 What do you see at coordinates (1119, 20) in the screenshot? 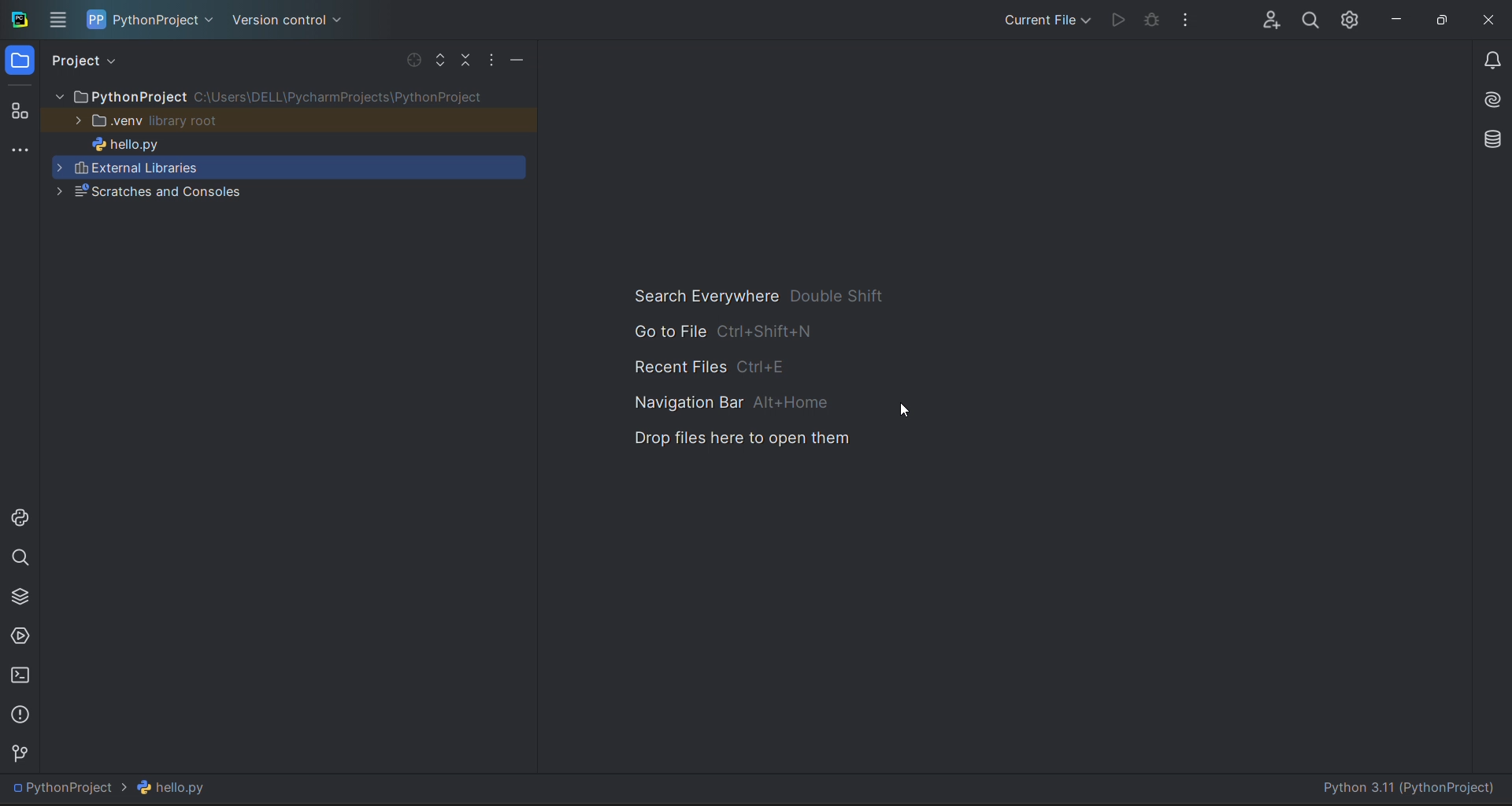
I see `run` at bounding box center [1119, 20].